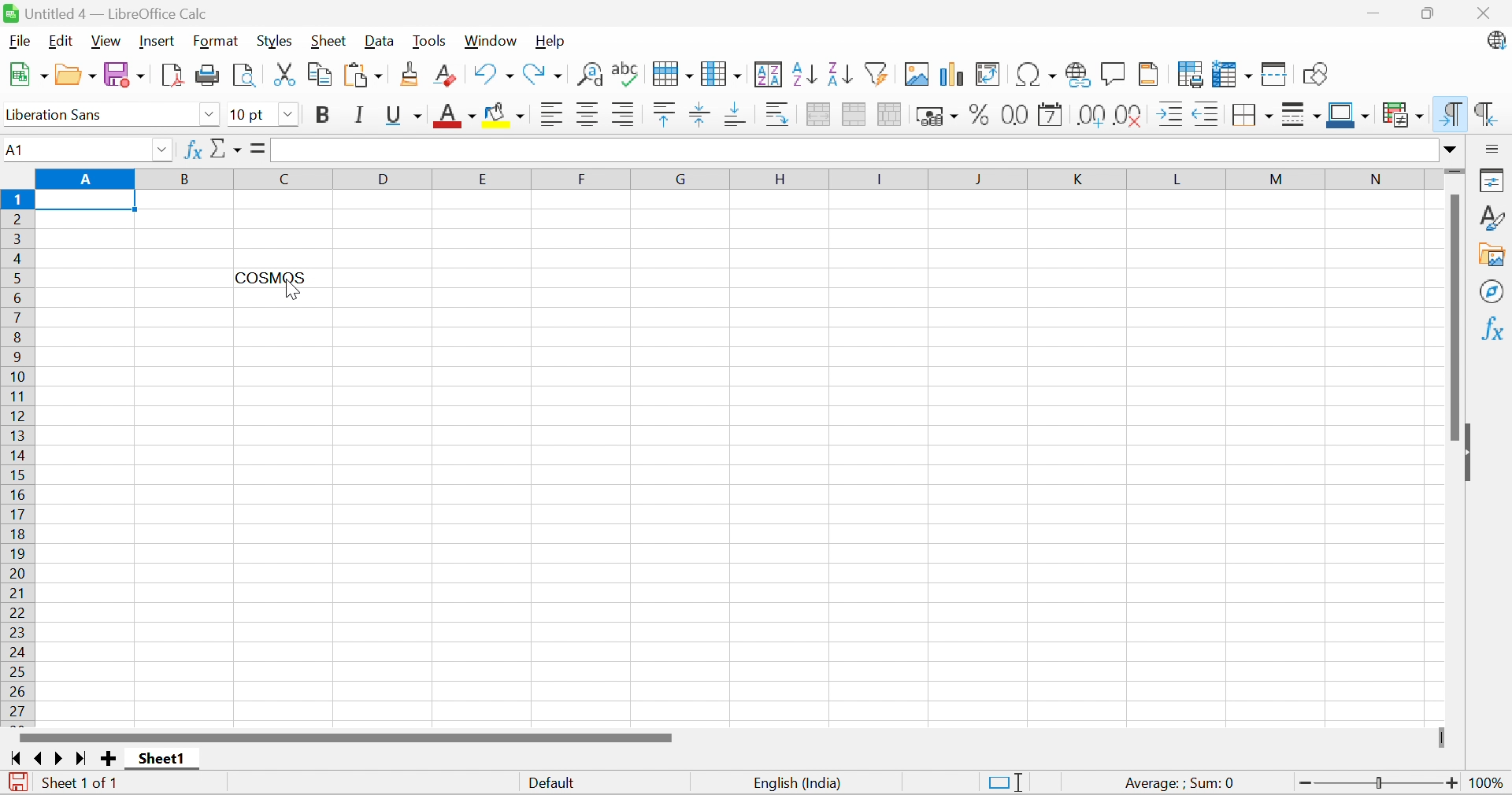 The width and height of the screenshot is (1512, 795). Describe the element at coordinates (952, 76) in the screenshot. I see `Insert Chart` at that location.